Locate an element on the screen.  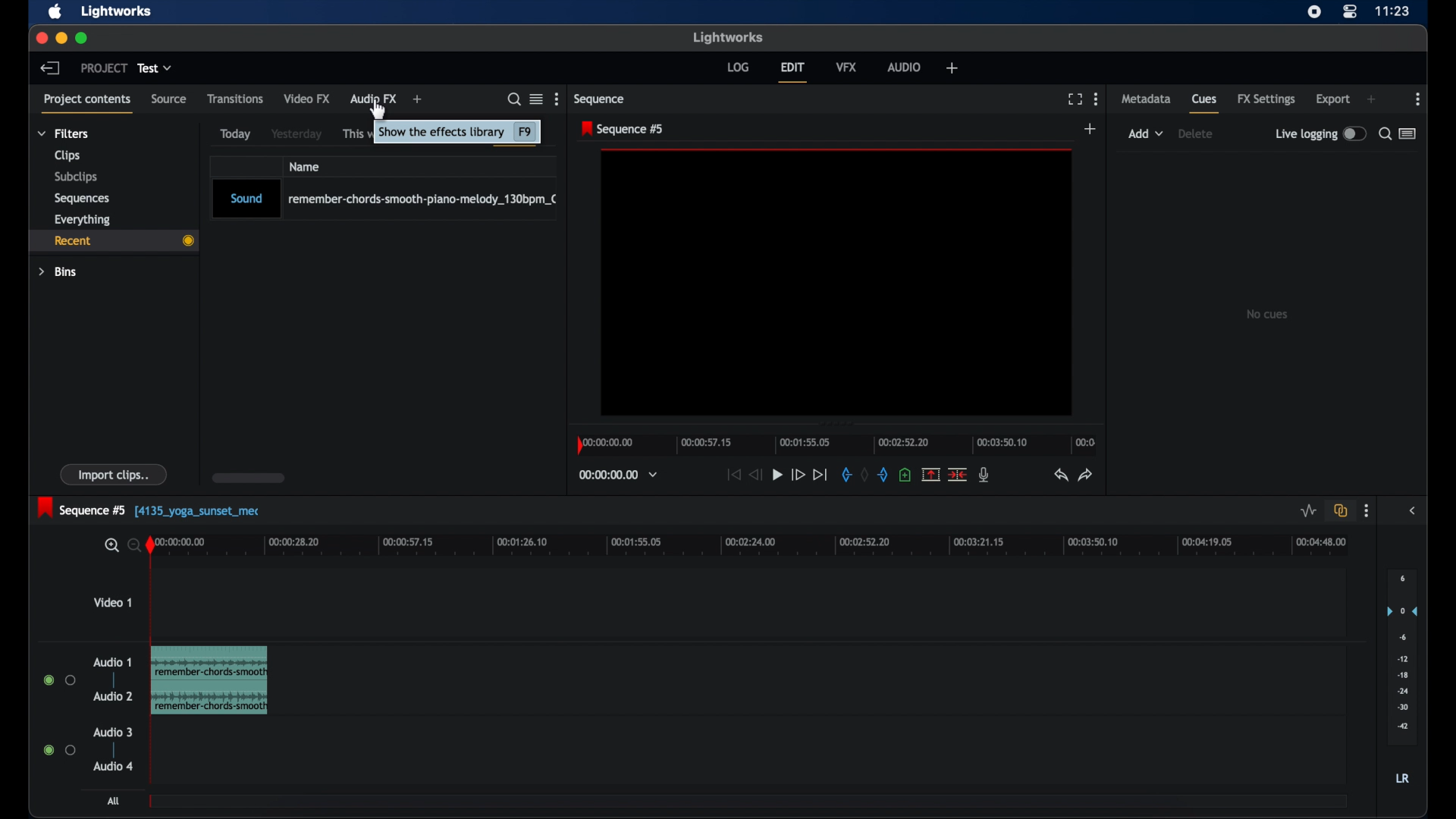
fast forward is located at coordinates (798, 476).